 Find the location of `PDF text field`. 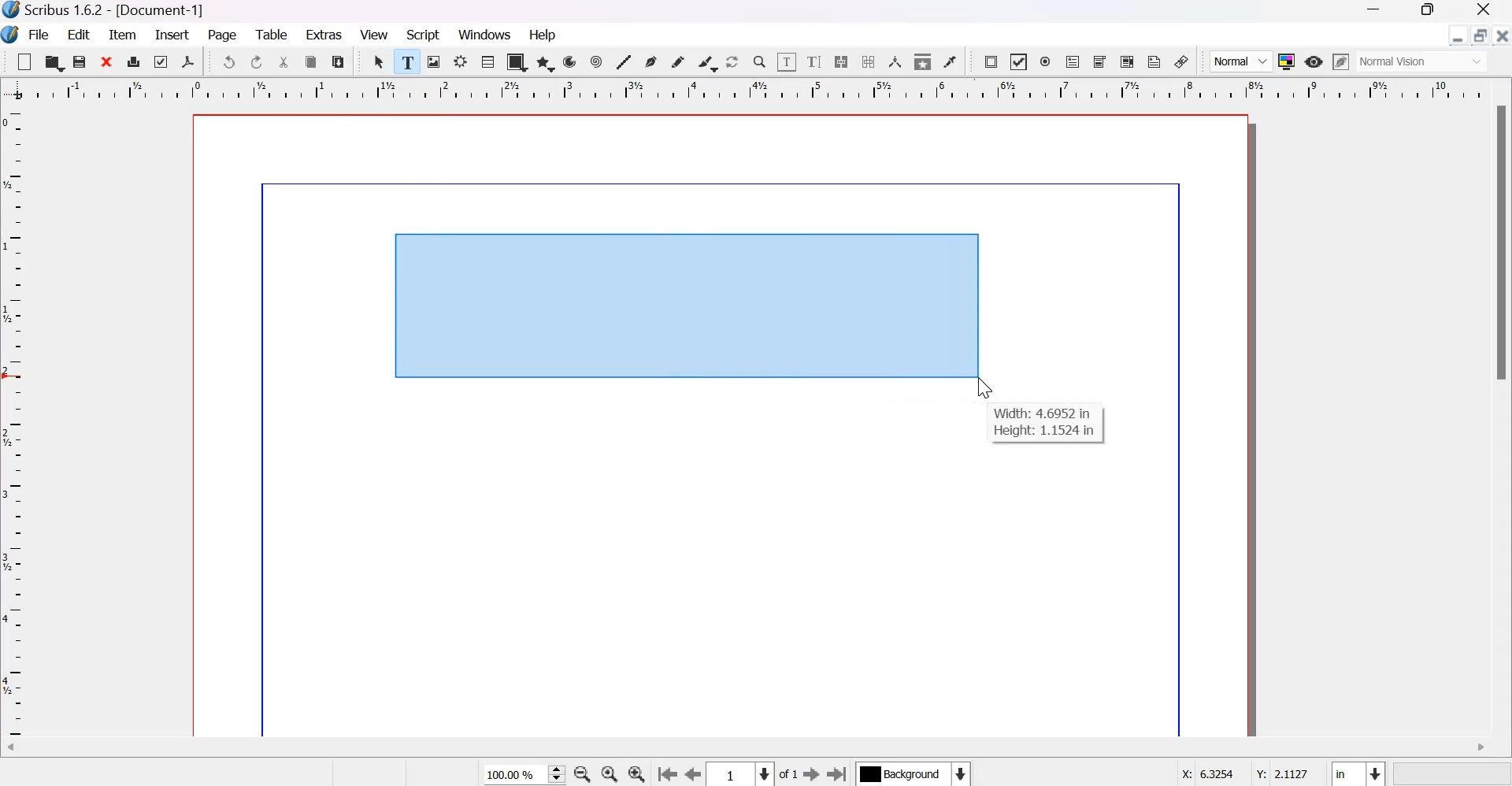

PDF text field is located at coordinates (1073, 63).